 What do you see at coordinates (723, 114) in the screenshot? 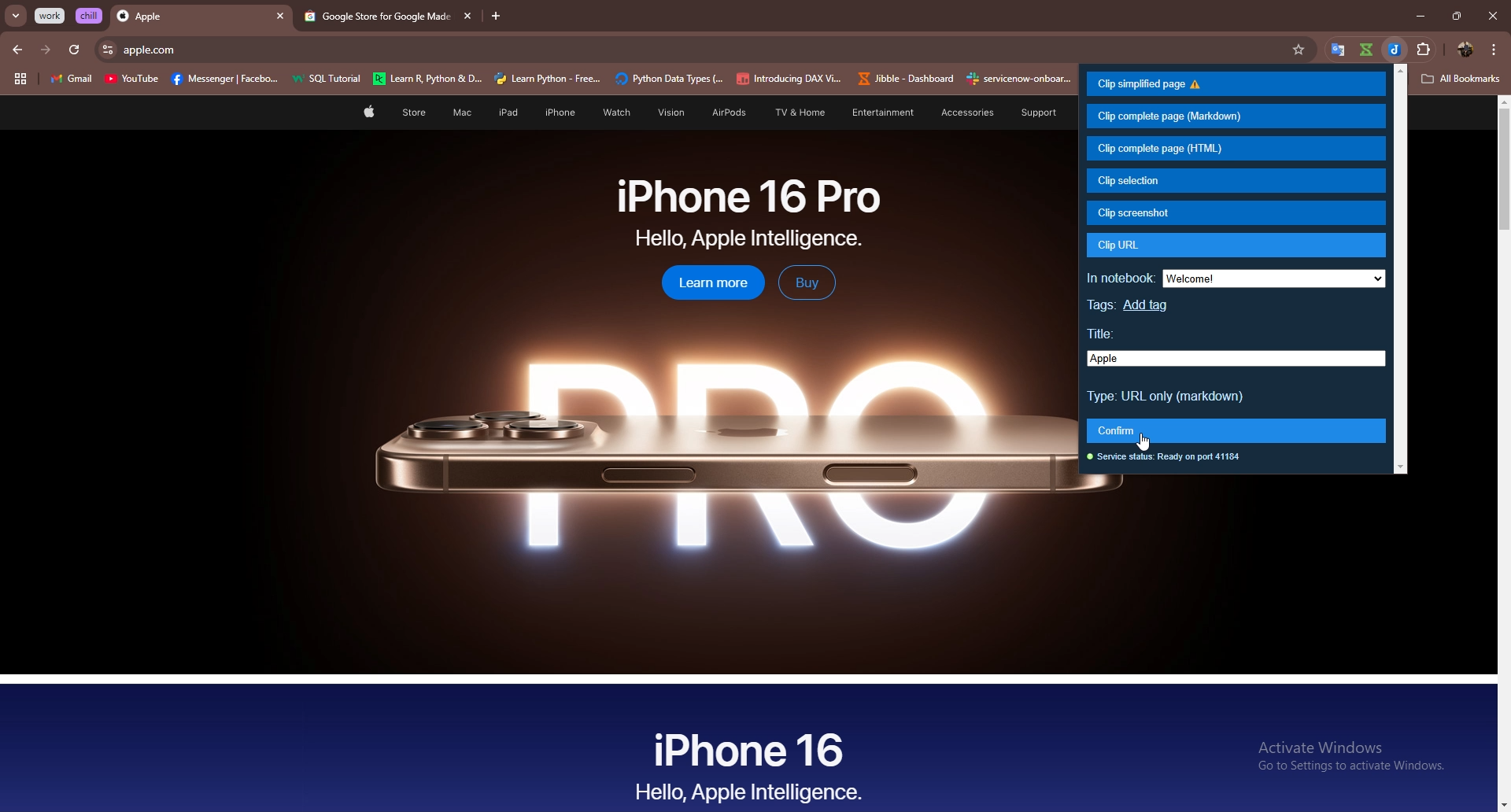
I see `AirPods` at bounding box center [723, 114].